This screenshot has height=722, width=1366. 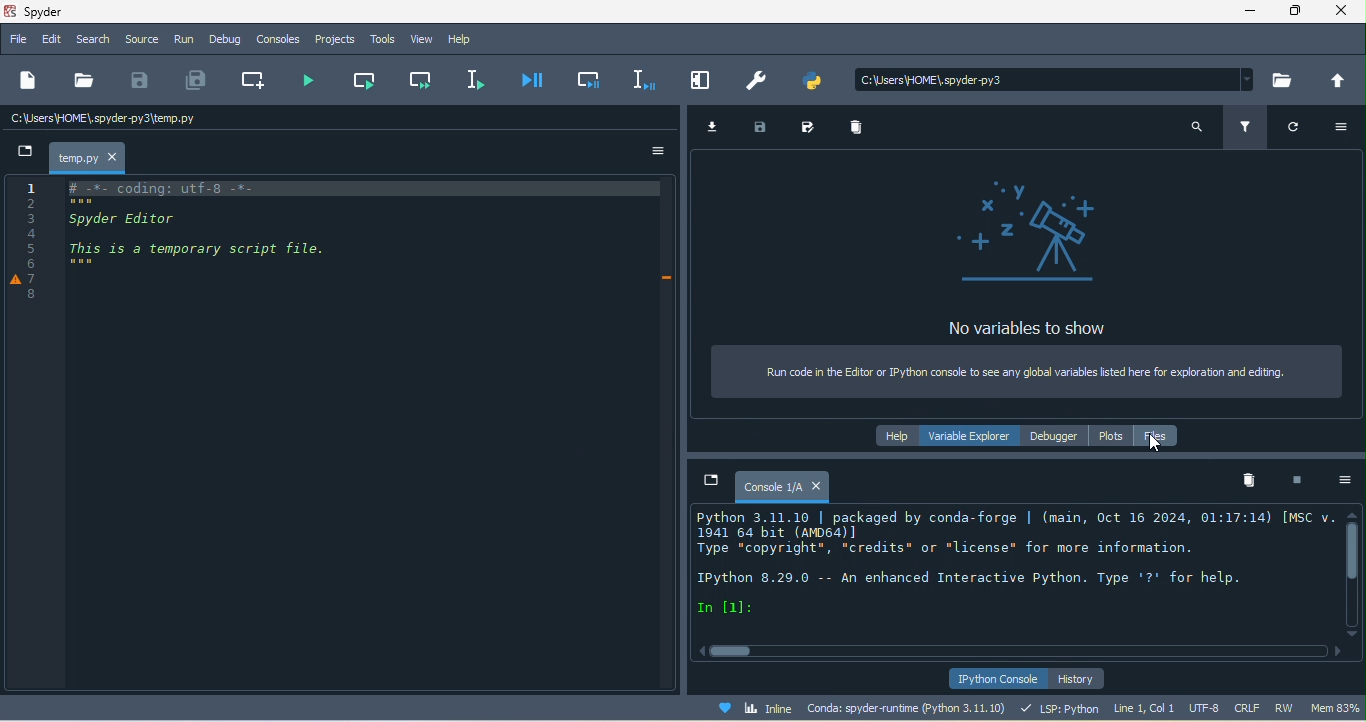 What do you see at coordinates (89, 157) in the screenshot?
I see `temp.py` at bounding box center [89, 157].